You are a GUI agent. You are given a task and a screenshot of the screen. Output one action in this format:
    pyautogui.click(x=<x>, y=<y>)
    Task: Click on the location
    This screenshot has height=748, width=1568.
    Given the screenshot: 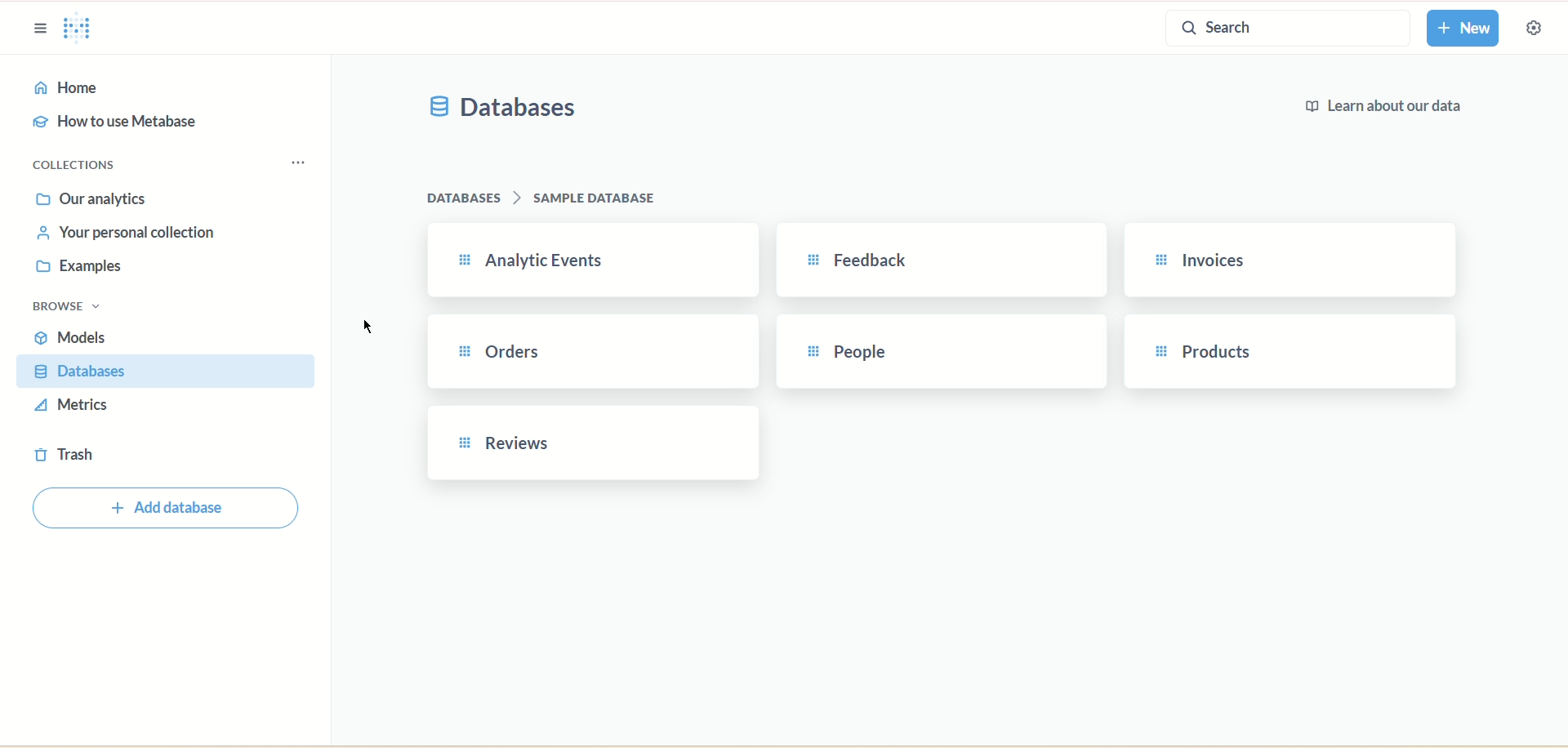 What is the action you would take?
    pyautogui.click(x=541, y=198)
    